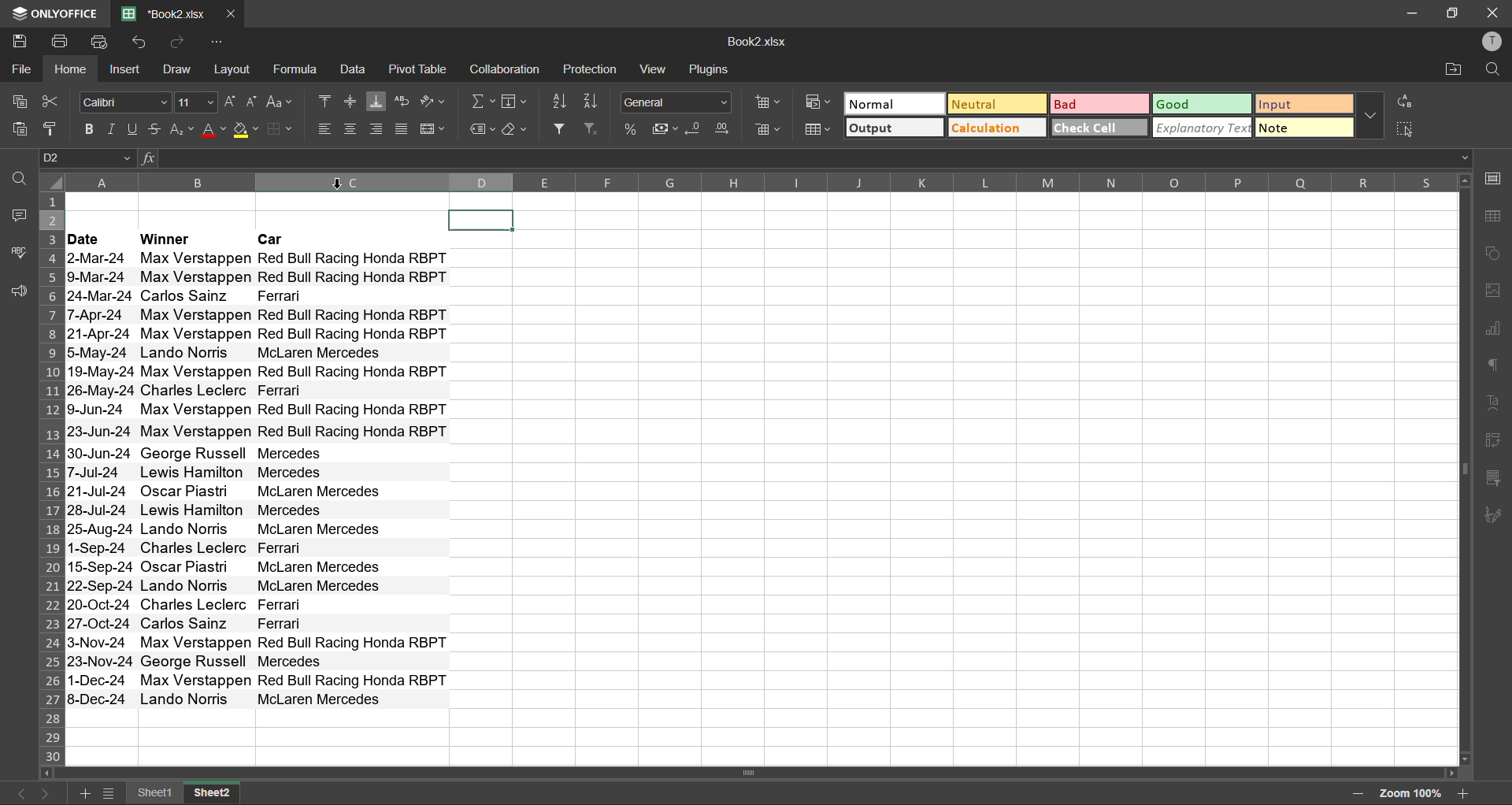 This screenshot has width=1512, height=805. Describe the element at coordinates (1203, 106) in the screenshot. I see `good` at that location.